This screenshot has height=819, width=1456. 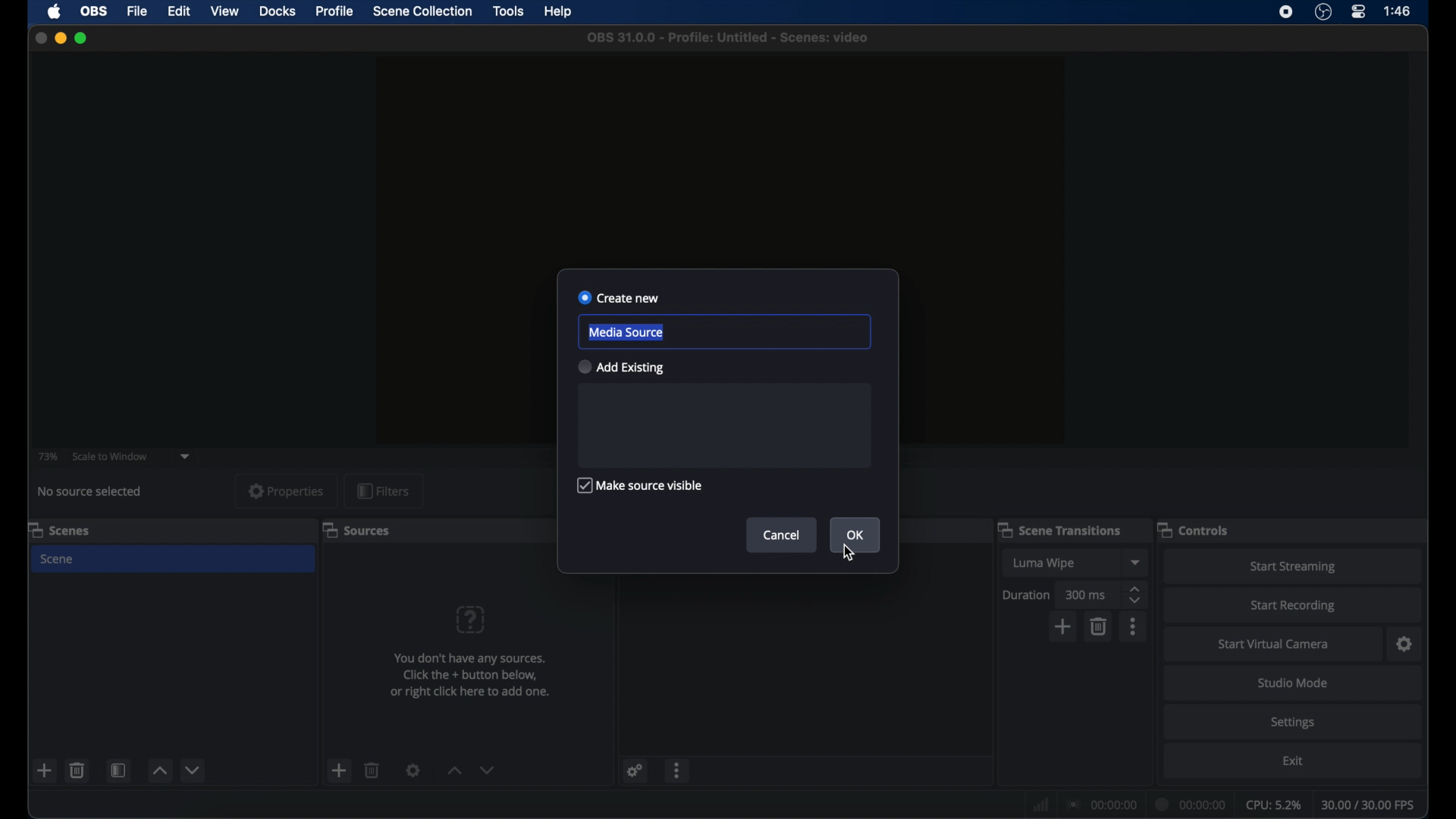 I want to click on scene transitions, so click(x=1059, y=529).